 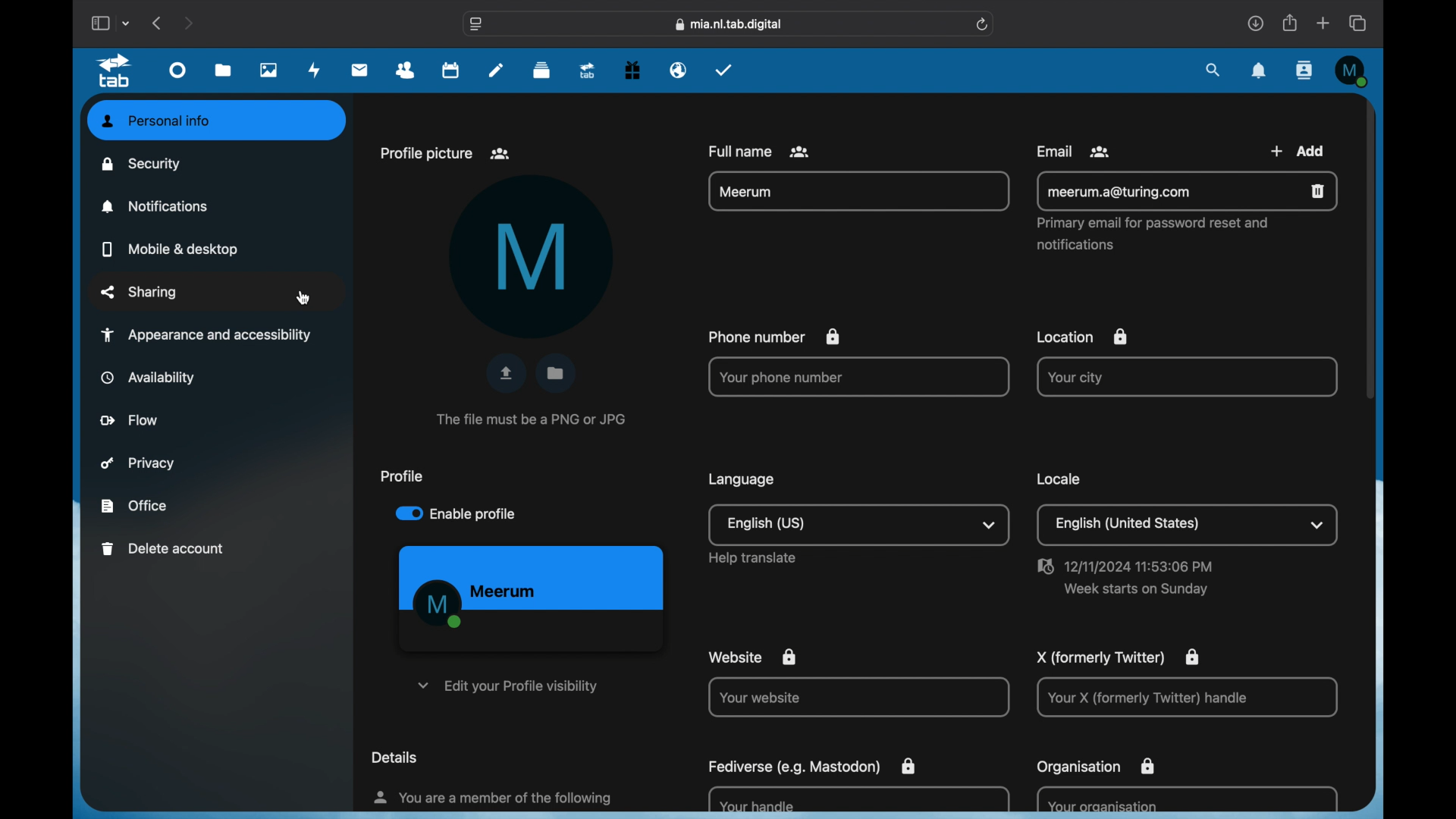 I want to click on privacy, so click(x=138, y=463).